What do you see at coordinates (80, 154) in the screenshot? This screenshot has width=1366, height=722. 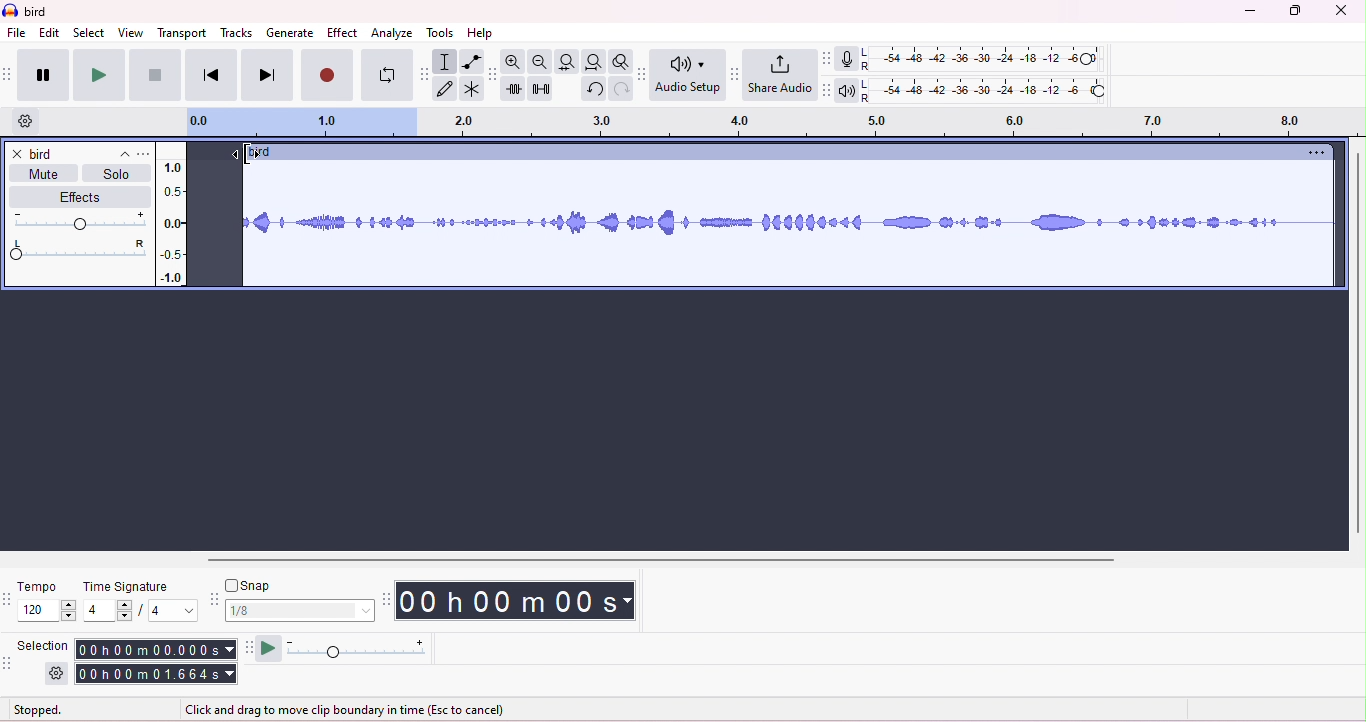 I see `track title` at bounding box center [80, 154].